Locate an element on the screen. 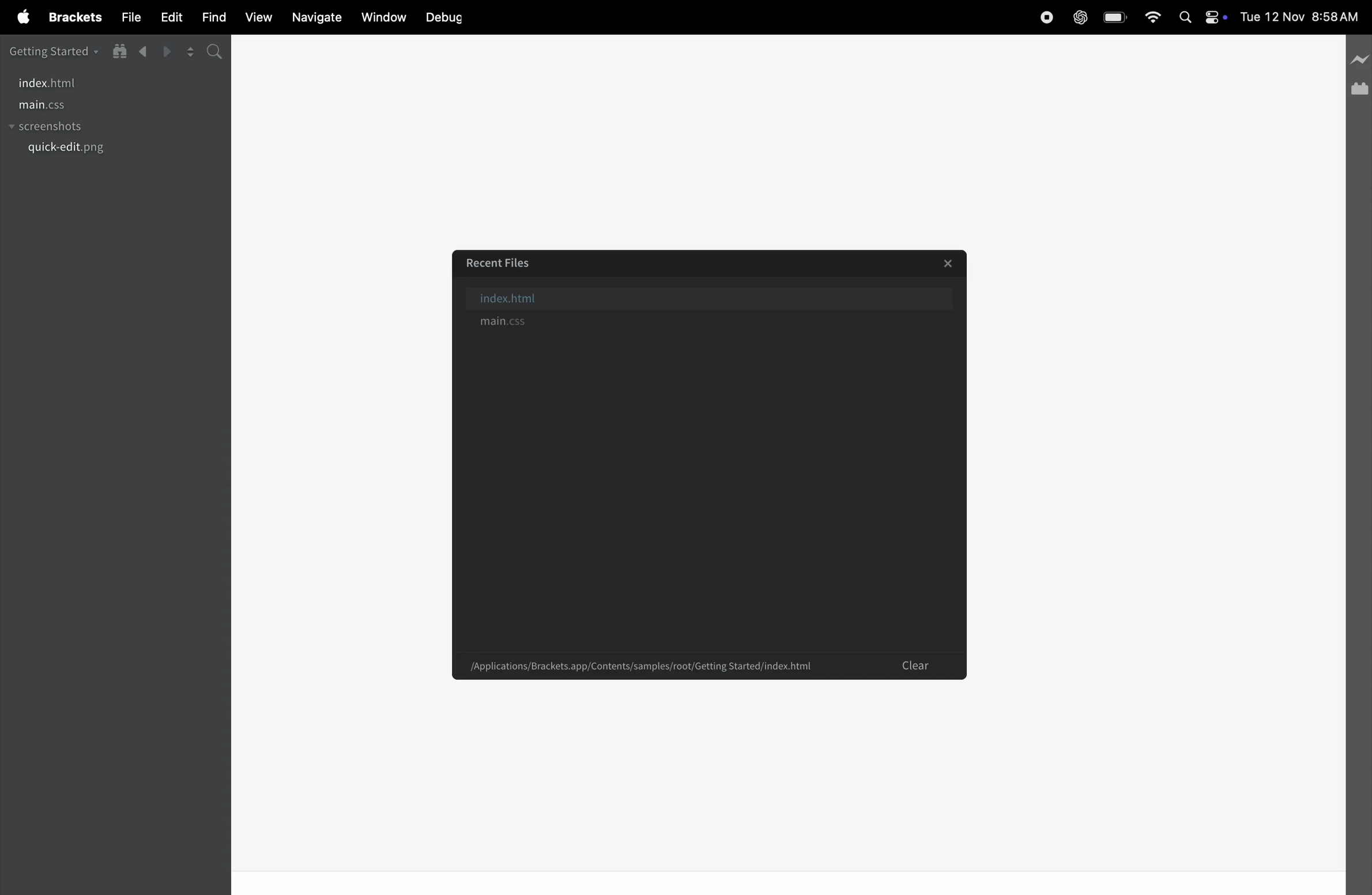 The height and width of the screenshot is (895, 1372). quick.edit.png is located at coordinates (69, 149).